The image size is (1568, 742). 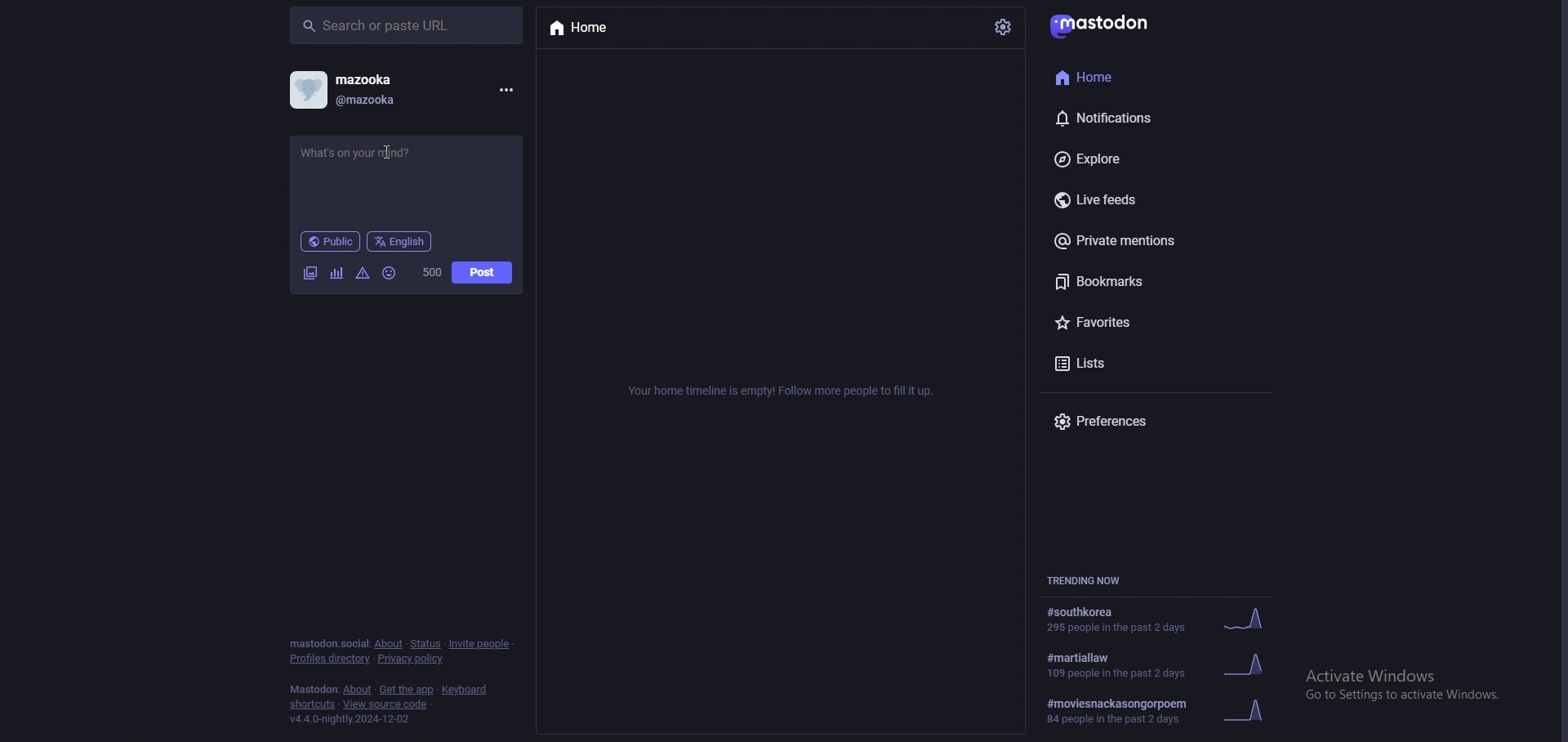 What do you see at coordinates (399, 242) in the screenshot?
I see `language` at bounding box center [399, 242].